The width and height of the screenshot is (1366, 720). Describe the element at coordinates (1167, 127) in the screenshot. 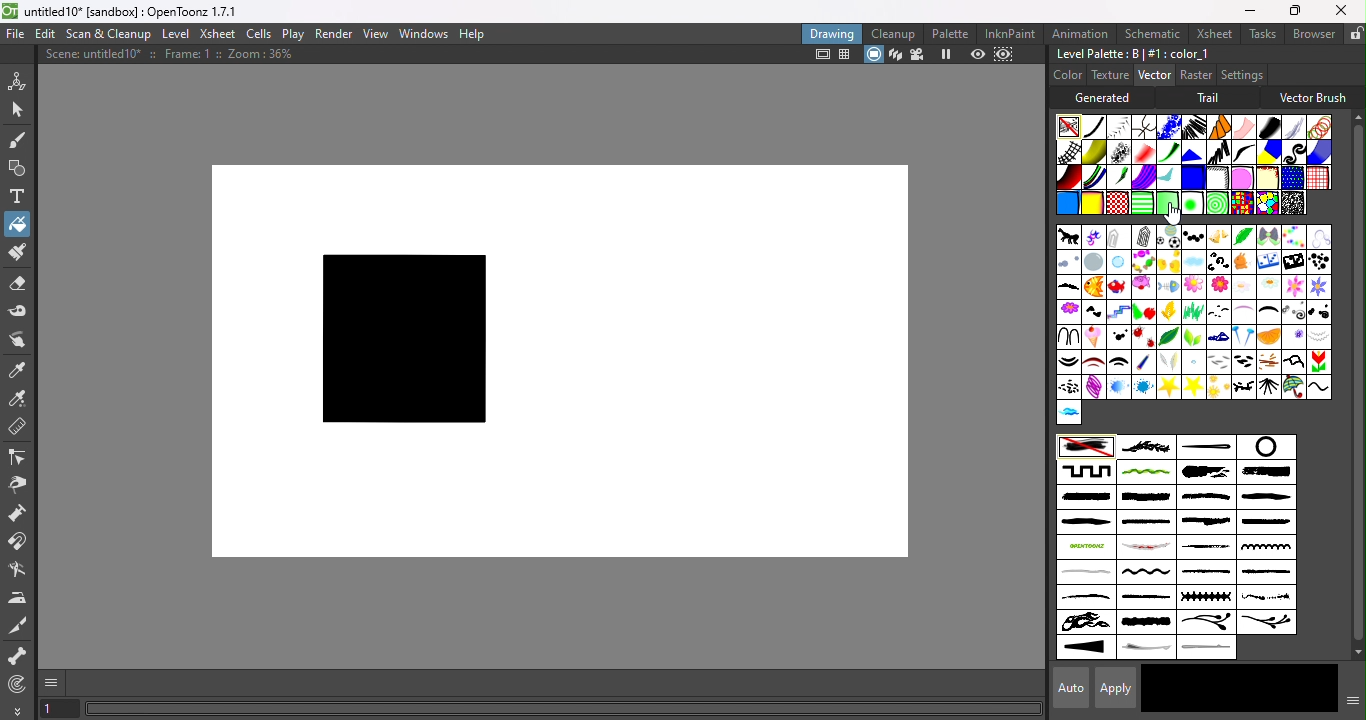

I see `Circlets` at that location.